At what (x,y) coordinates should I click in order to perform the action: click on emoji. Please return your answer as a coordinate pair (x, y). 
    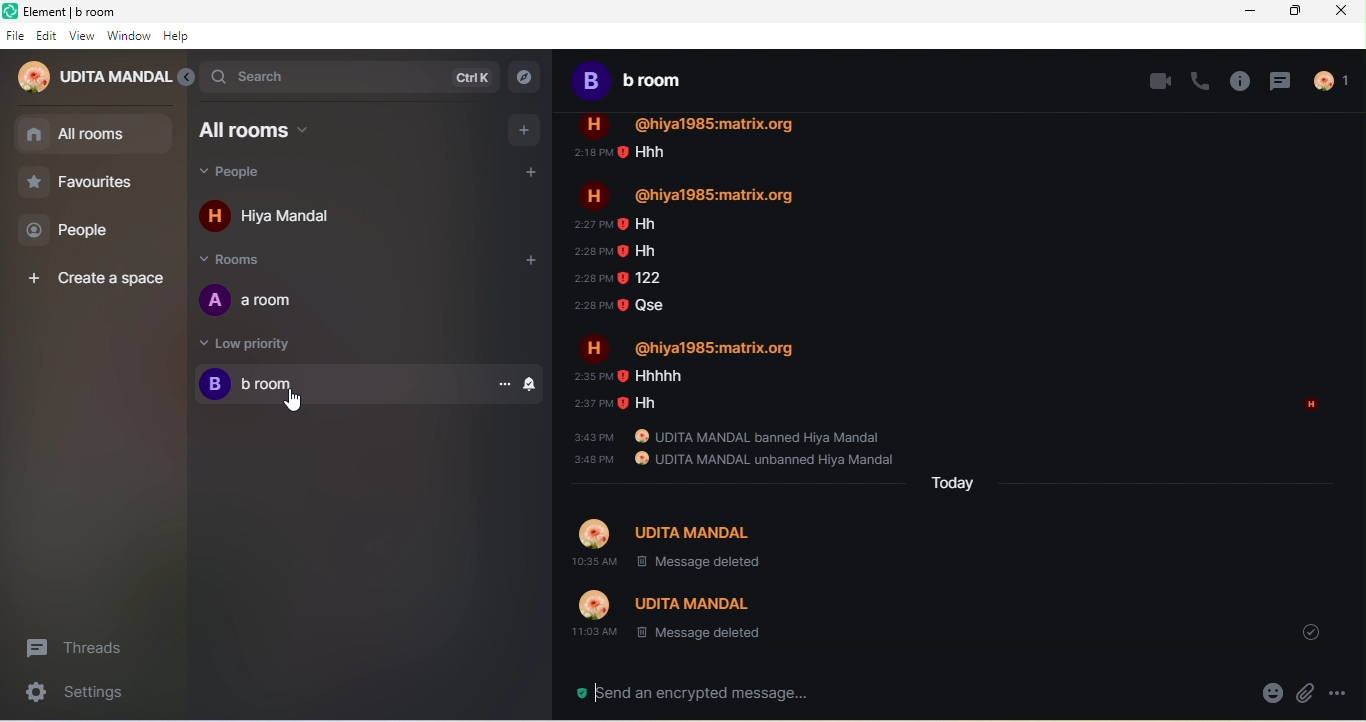
    Looking at the image, I should click on (1265, 696).